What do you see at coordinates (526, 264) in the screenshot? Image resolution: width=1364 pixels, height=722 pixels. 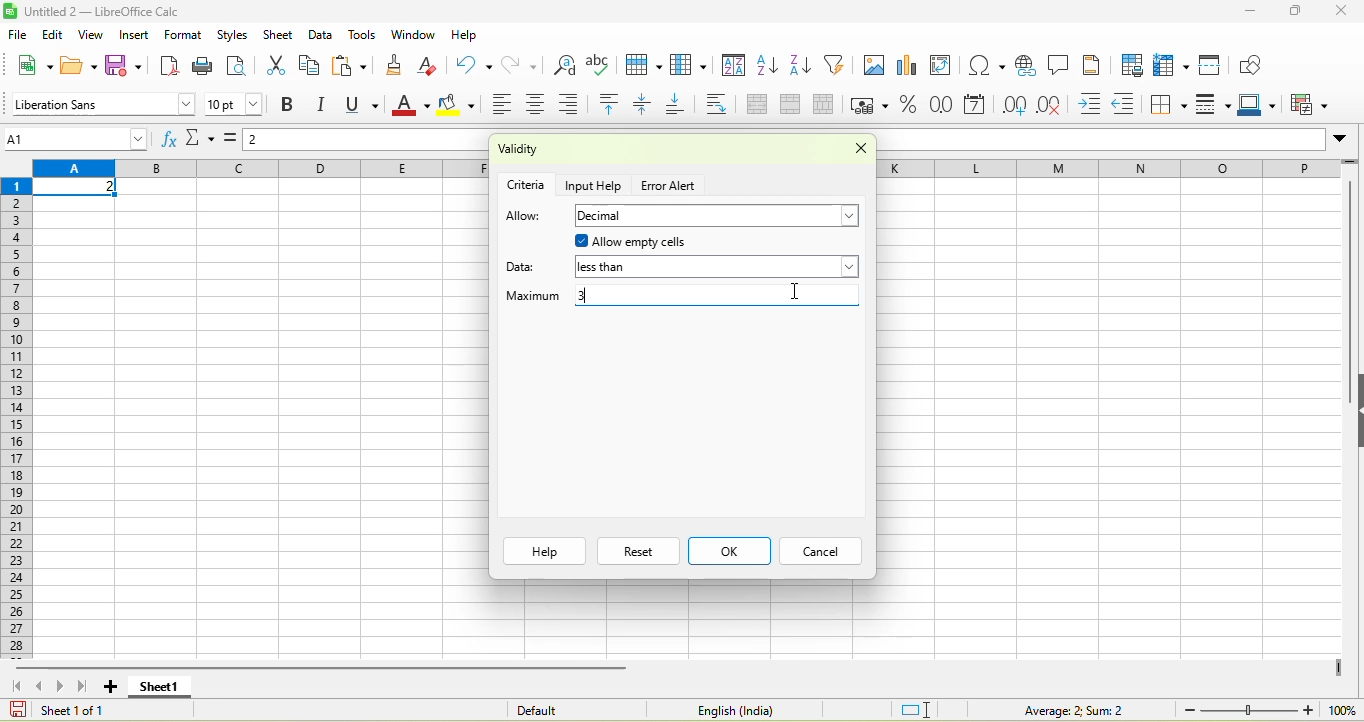 I see `data` at bounding box center [526, 264].